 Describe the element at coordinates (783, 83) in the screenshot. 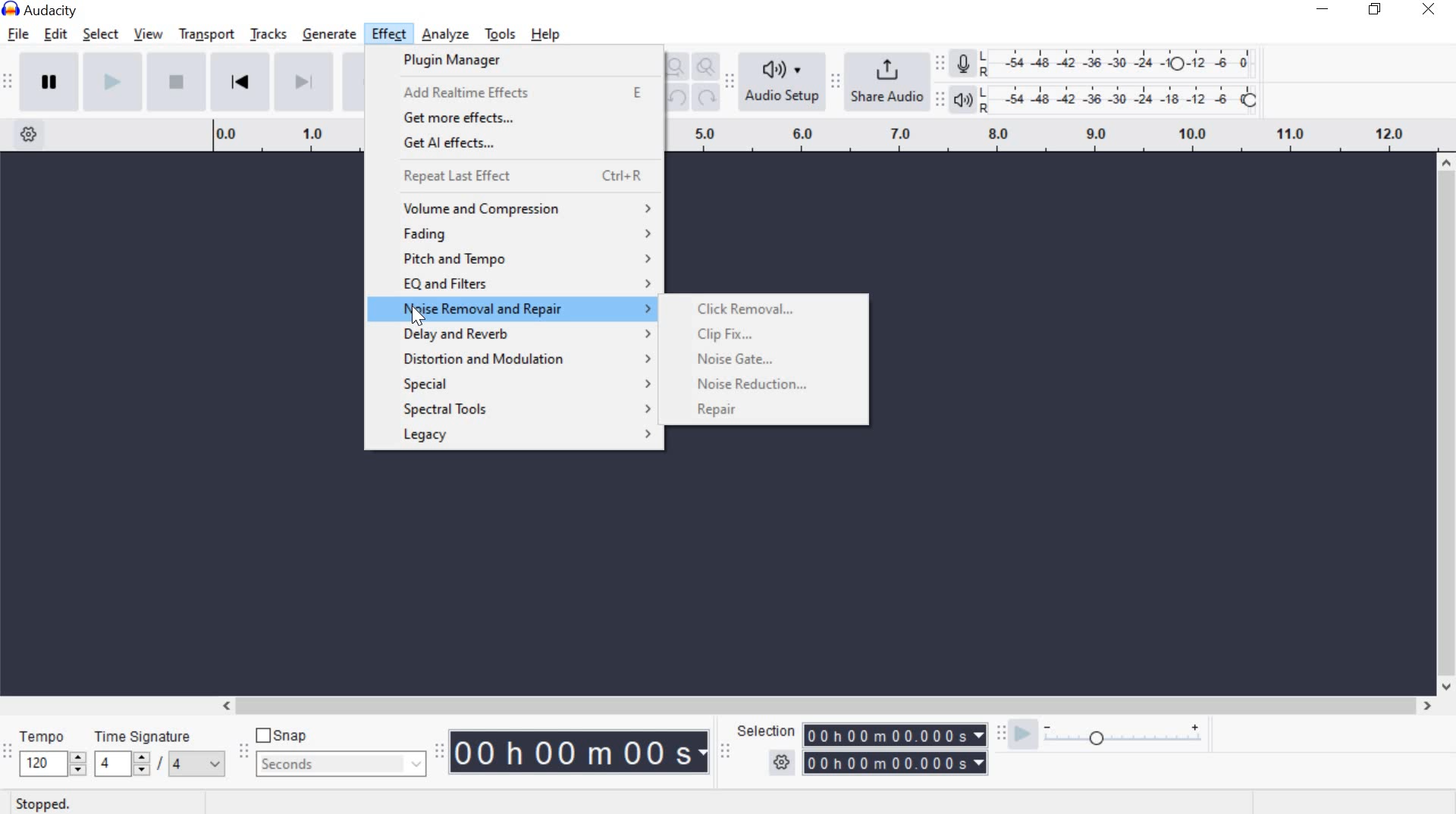

I see `Audio Setup` at that location.